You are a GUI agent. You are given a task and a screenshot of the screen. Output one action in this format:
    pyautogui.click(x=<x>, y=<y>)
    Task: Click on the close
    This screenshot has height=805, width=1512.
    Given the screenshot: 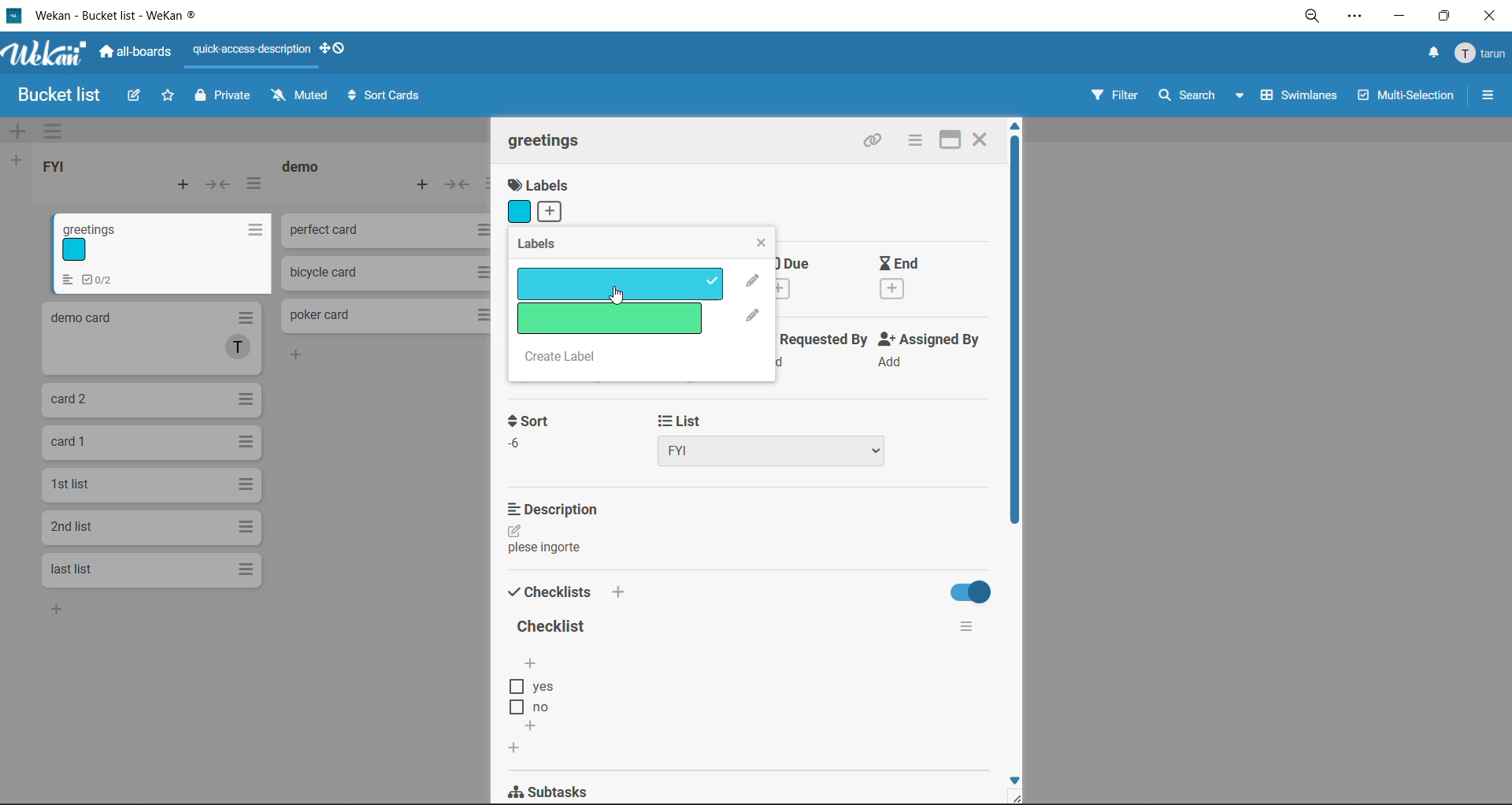 What is the action you would take?
    pyautogui.click(x=761, y=241)
    